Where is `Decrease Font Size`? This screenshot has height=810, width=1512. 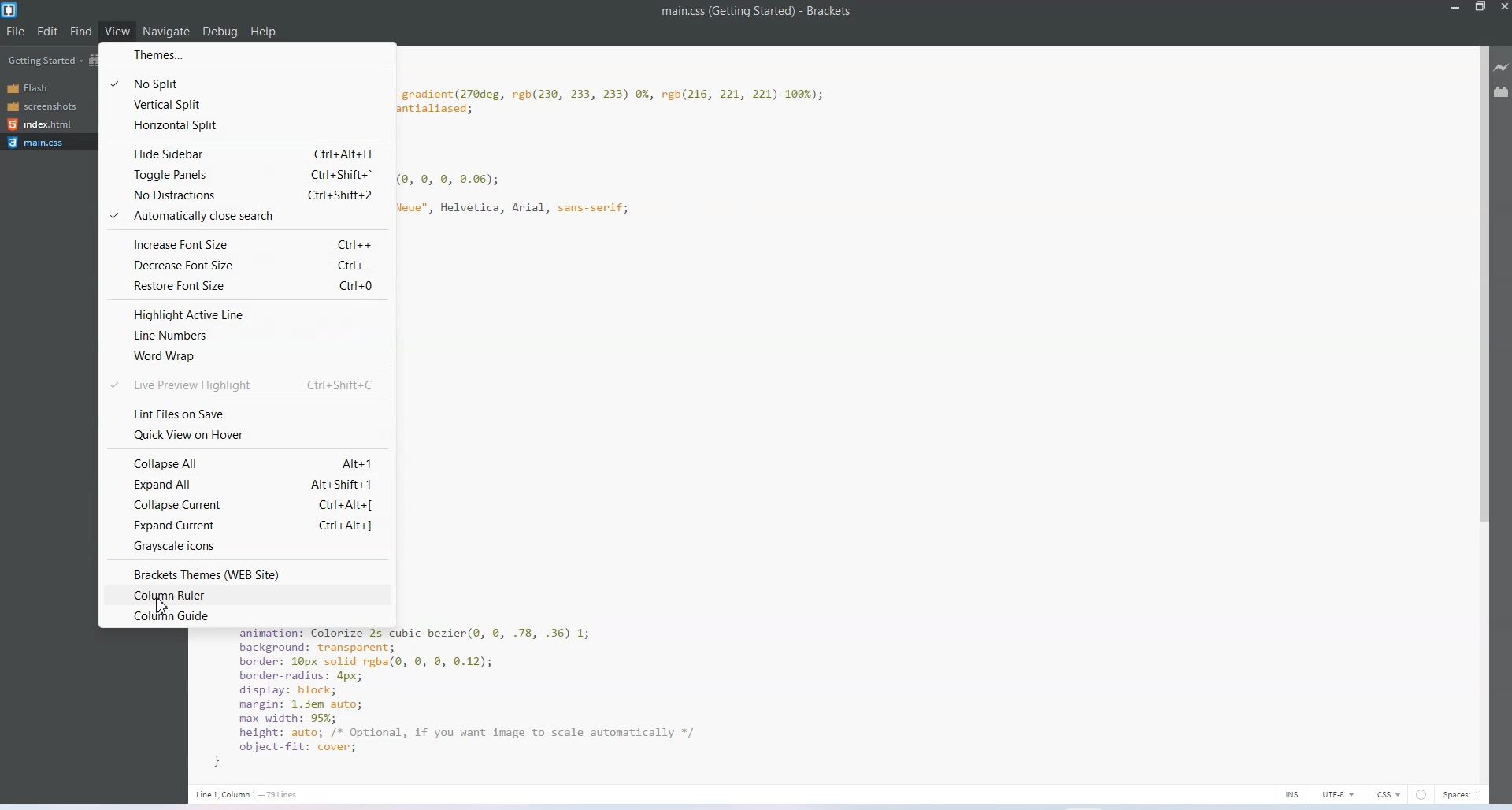
Decrease Font Size is located at coordinates (246, 266).